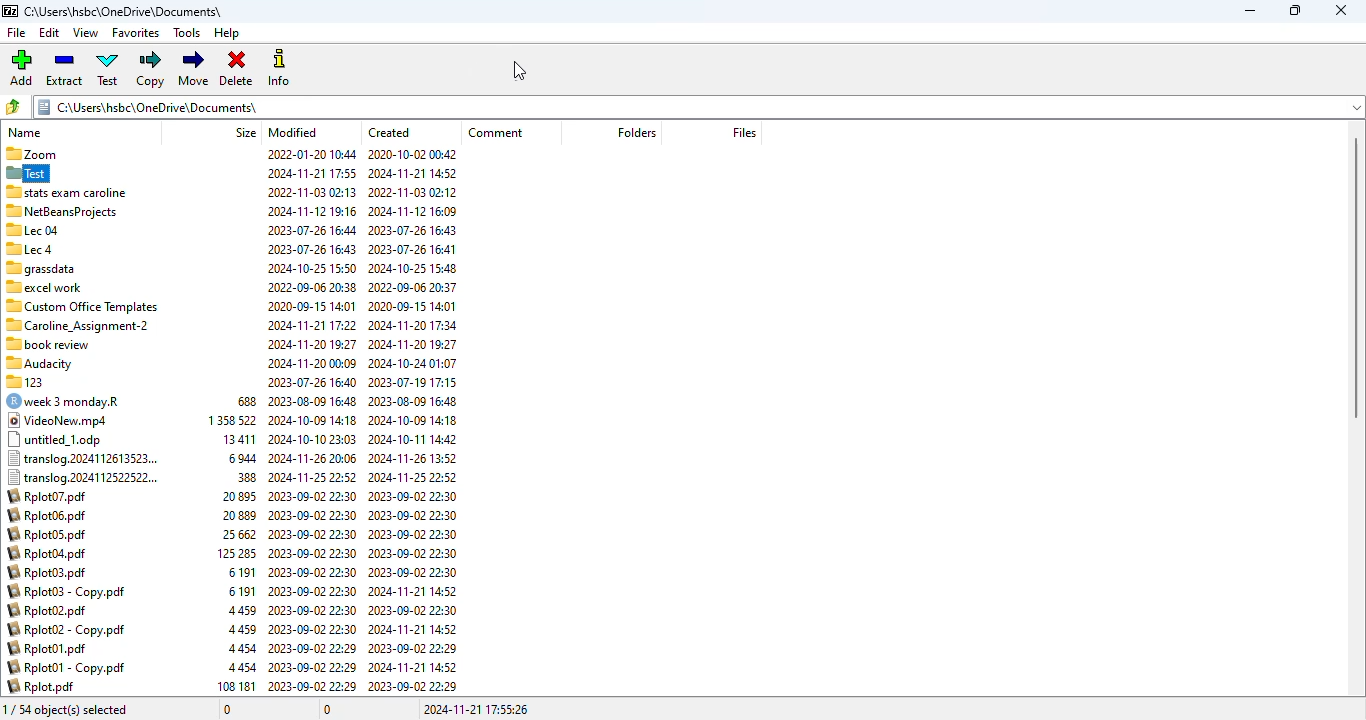 The image size is (1366, 720). I want to click on 2020-10-02 00:42, so click(414, 155).